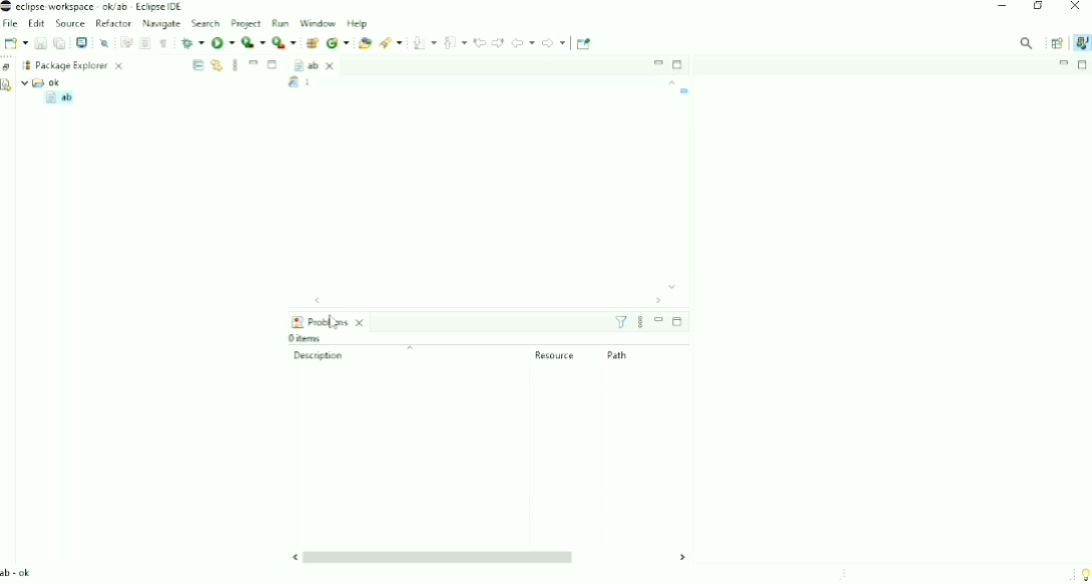  Describe the element at coordinates (686, 91) in the screenshot. I see `Task name` at that location.